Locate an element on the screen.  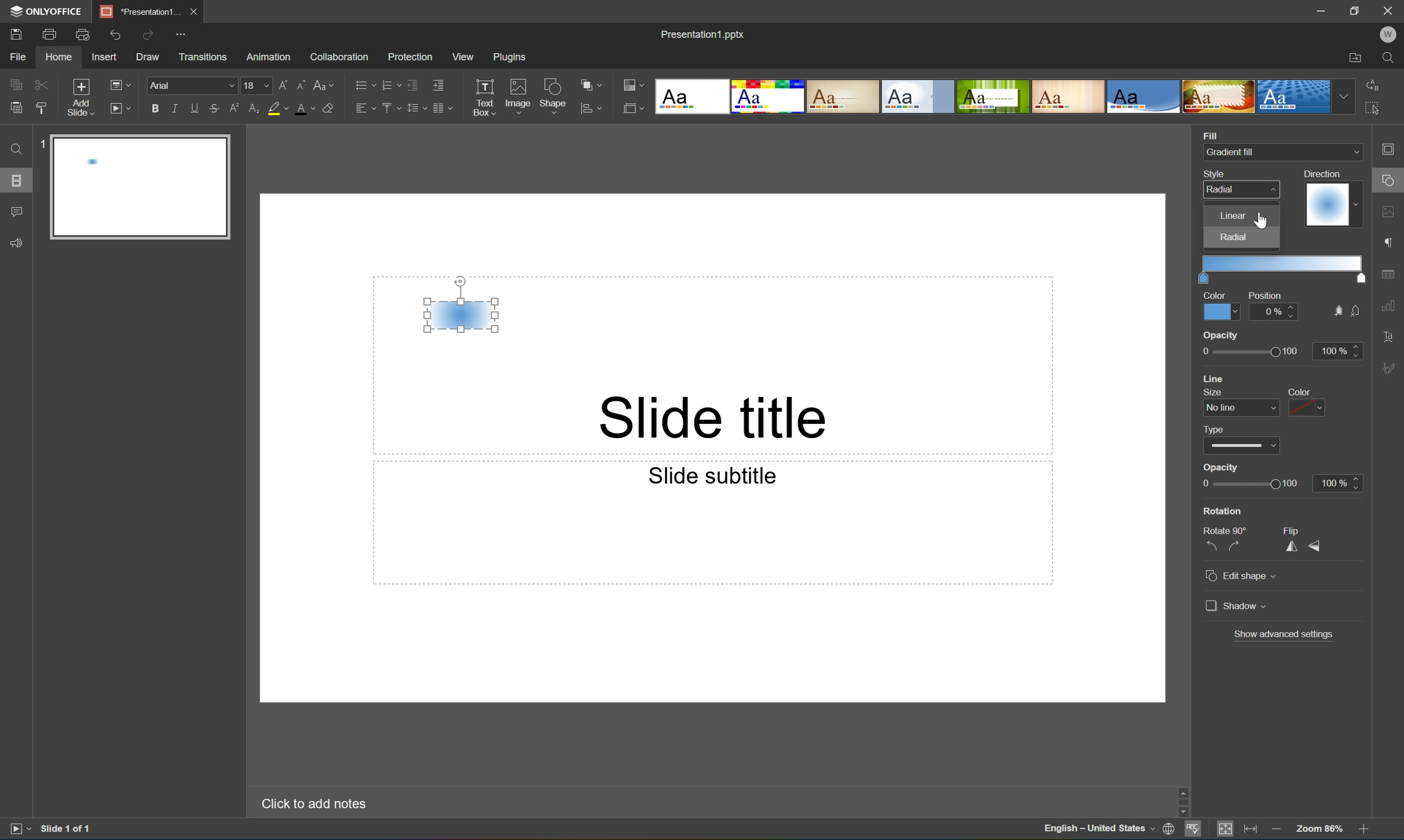
Replace is located at coordinates (1372, 83).